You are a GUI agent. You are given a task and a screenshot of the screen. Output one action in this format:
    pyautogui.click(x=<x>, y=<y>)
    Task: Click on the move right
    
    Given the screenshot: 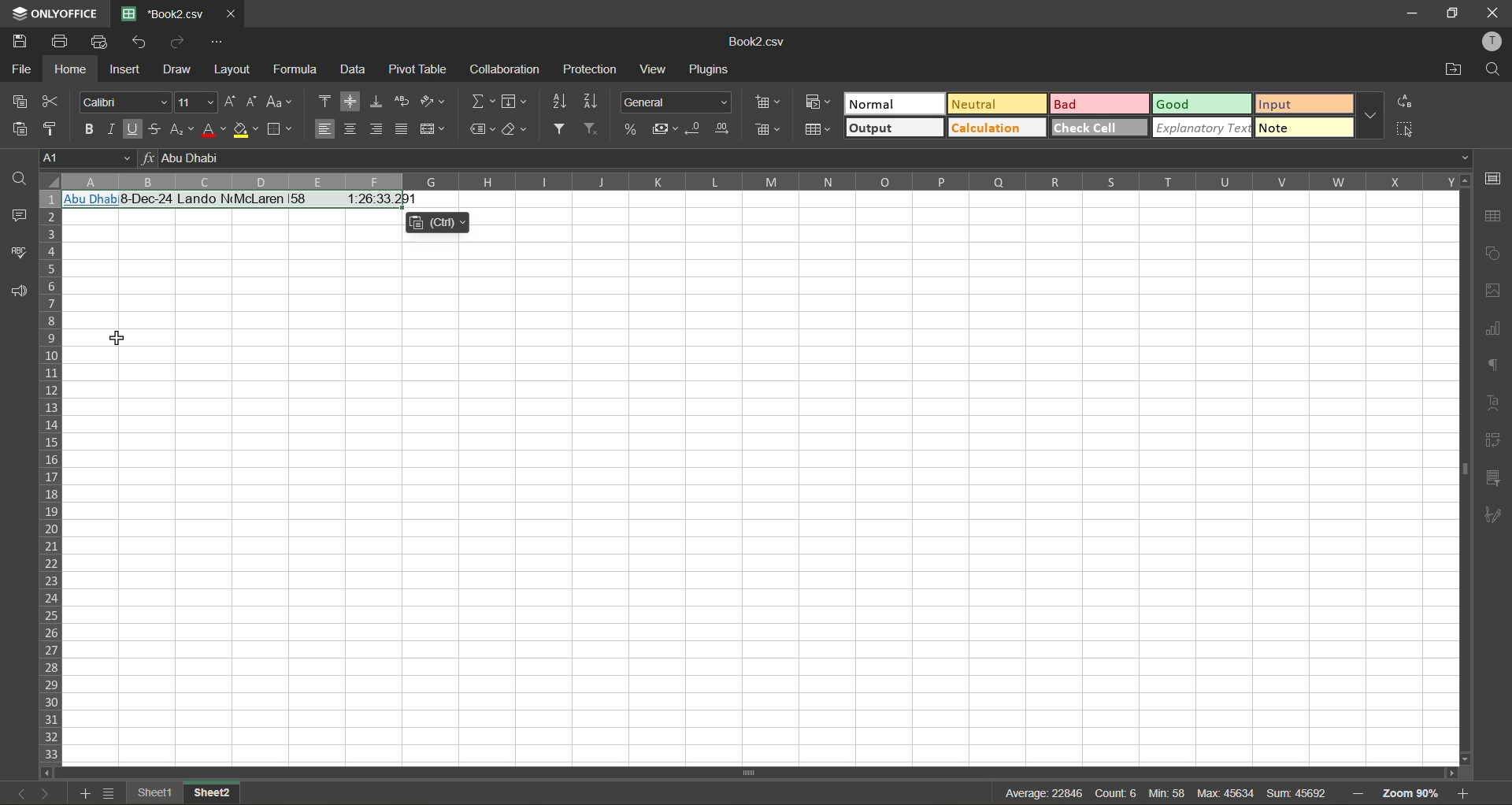 What is the action you would take?
    pyautogui.click(x=1450, y=772)
    